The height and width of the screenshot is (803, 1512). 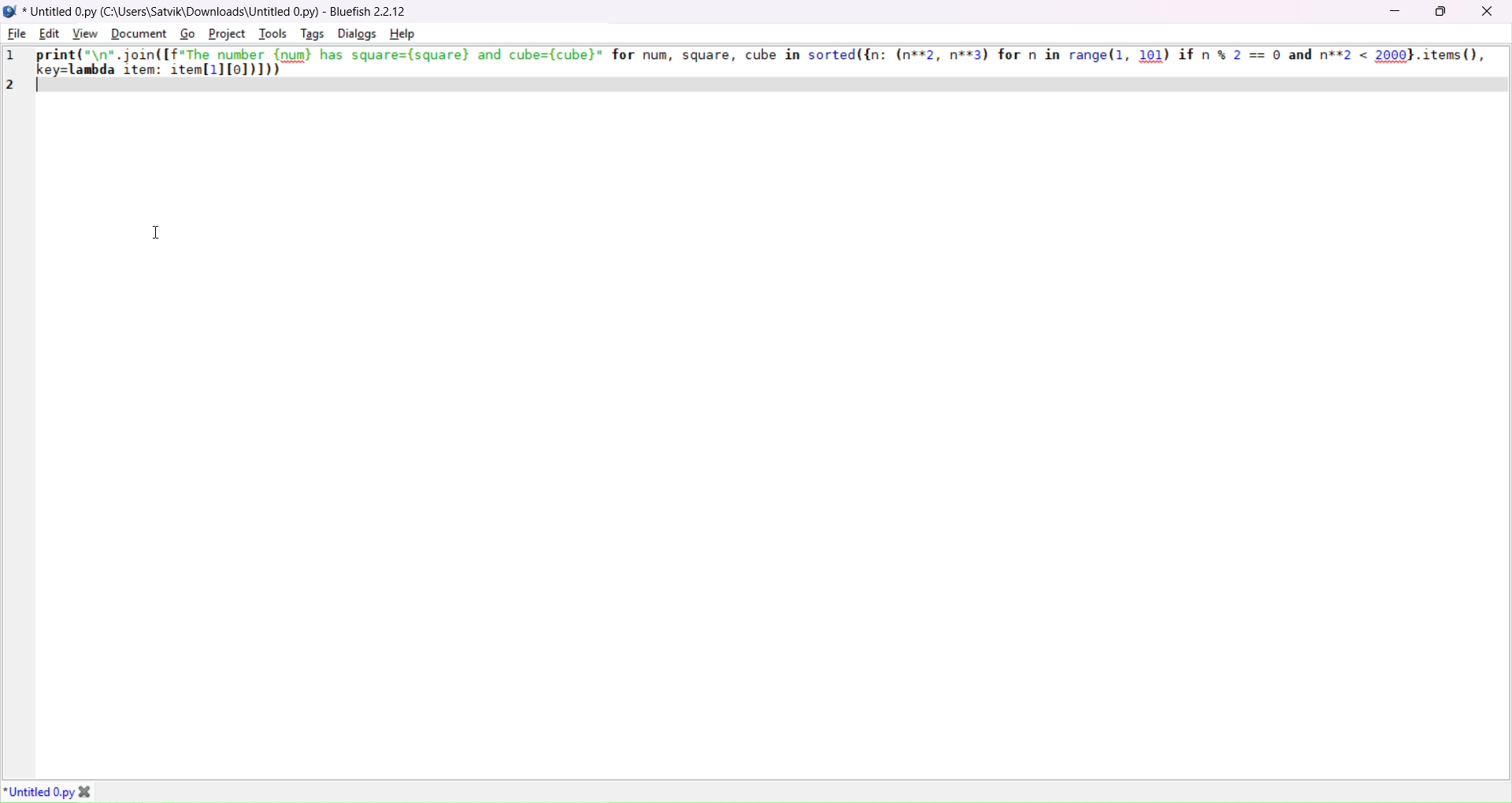 What do you see at coordinates (13, 54) in the screenshot?
I see `1` at bounding box center [13, 54].